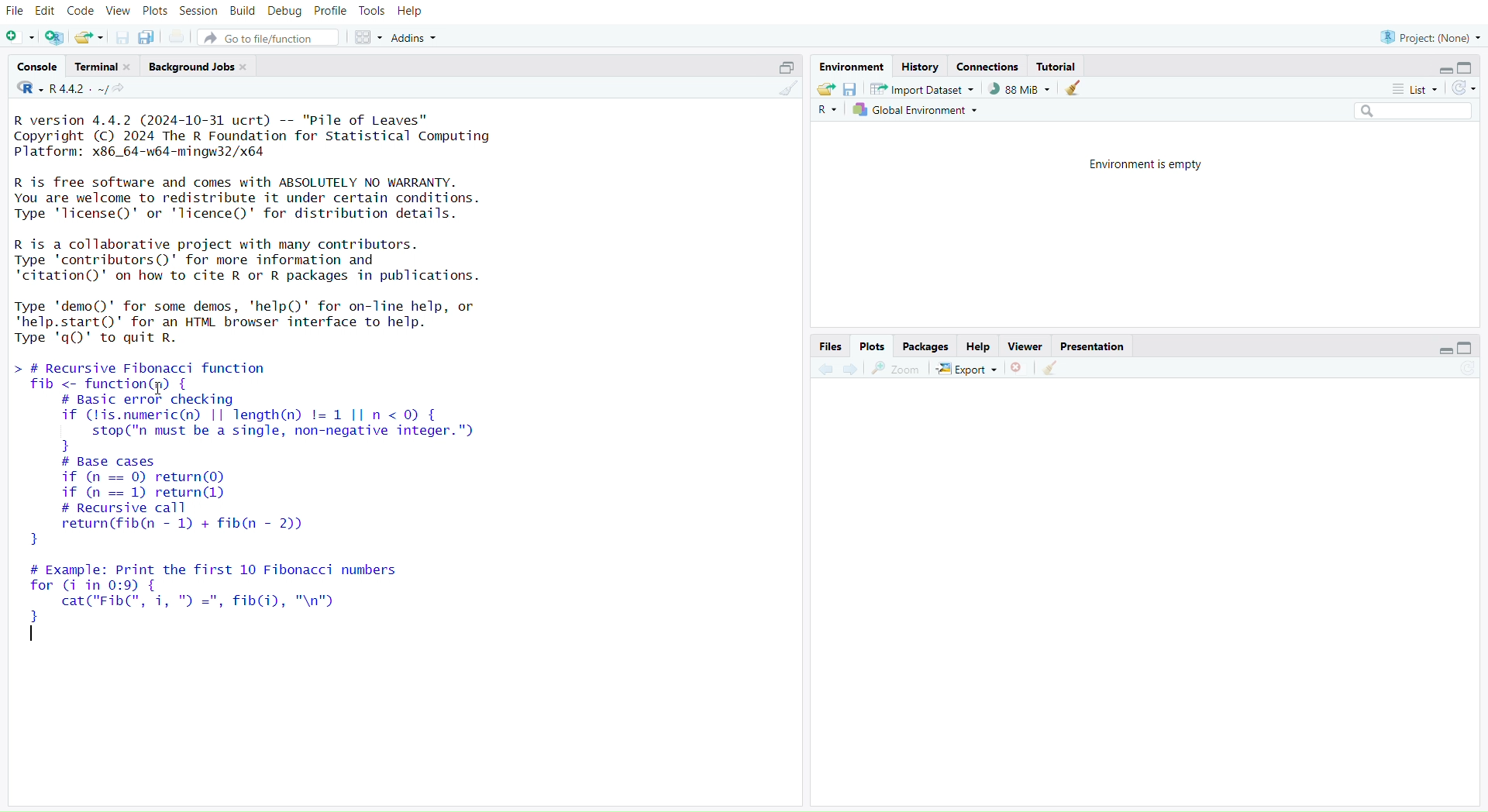 The height and width of the screenshot is (812, 1488). Describe the element at coordinates (123, 39) in the screenshot. I see `save current document` at that location.